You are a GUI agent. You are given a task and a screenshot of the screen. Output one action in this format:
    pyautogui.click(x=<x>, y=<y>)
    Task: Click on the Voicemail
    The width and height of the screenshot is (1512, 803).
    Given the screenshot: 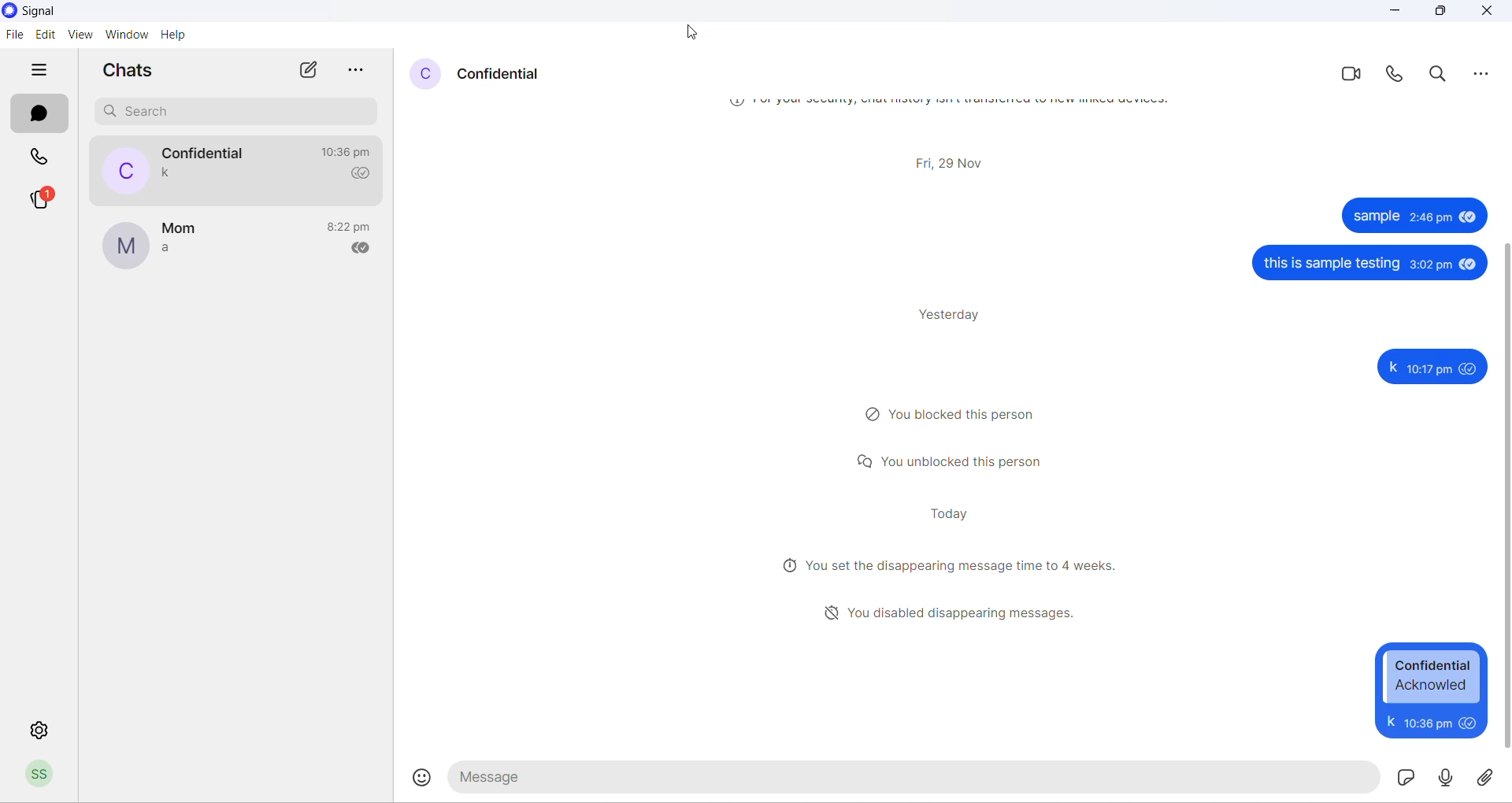 What is the action you would take?
    pyautogui.click(x=1447, y=776)
    